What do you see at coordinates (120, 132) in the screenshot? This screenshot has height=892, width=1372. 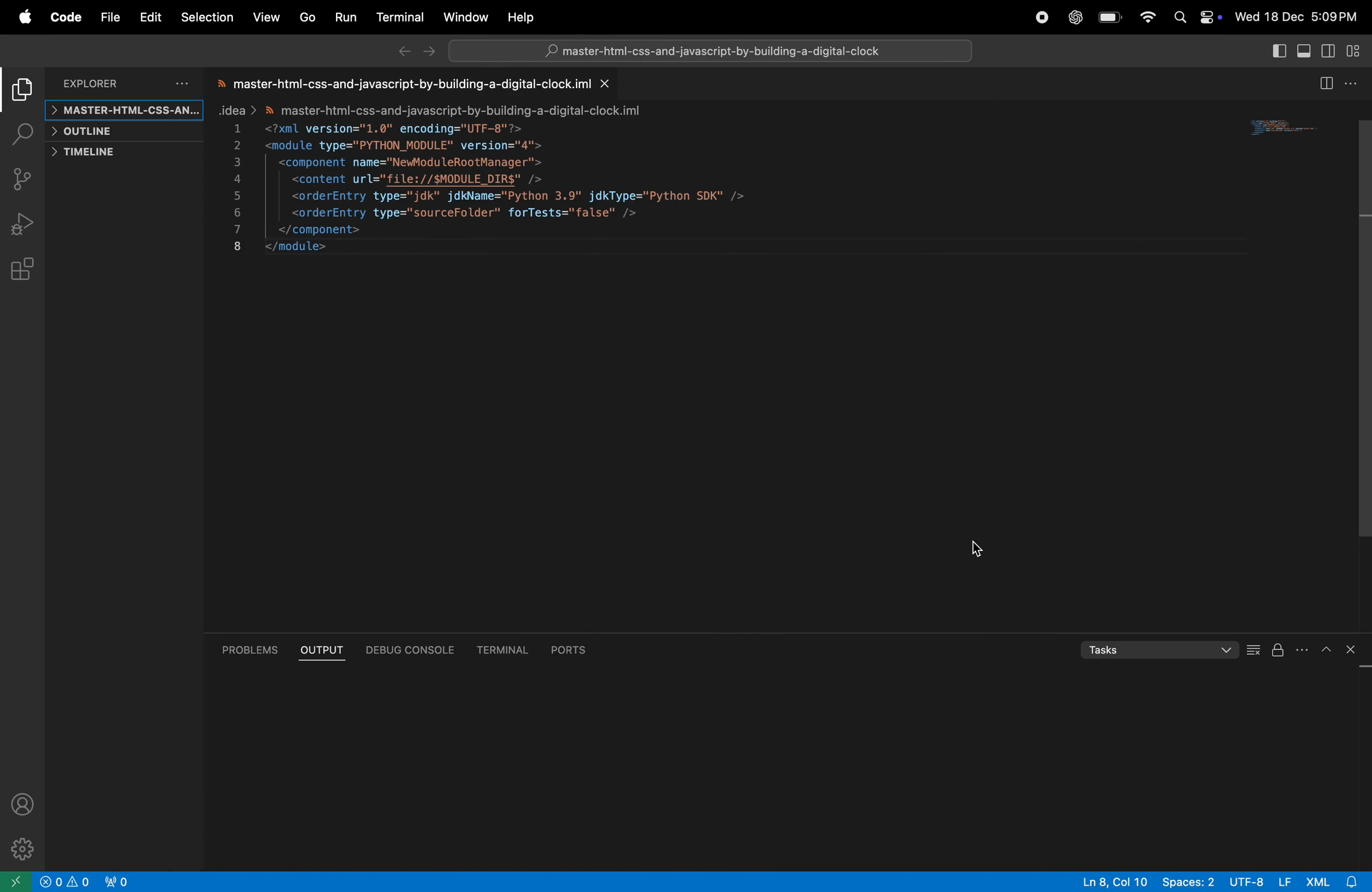 I see `outline` at bounding box center [120, 132].